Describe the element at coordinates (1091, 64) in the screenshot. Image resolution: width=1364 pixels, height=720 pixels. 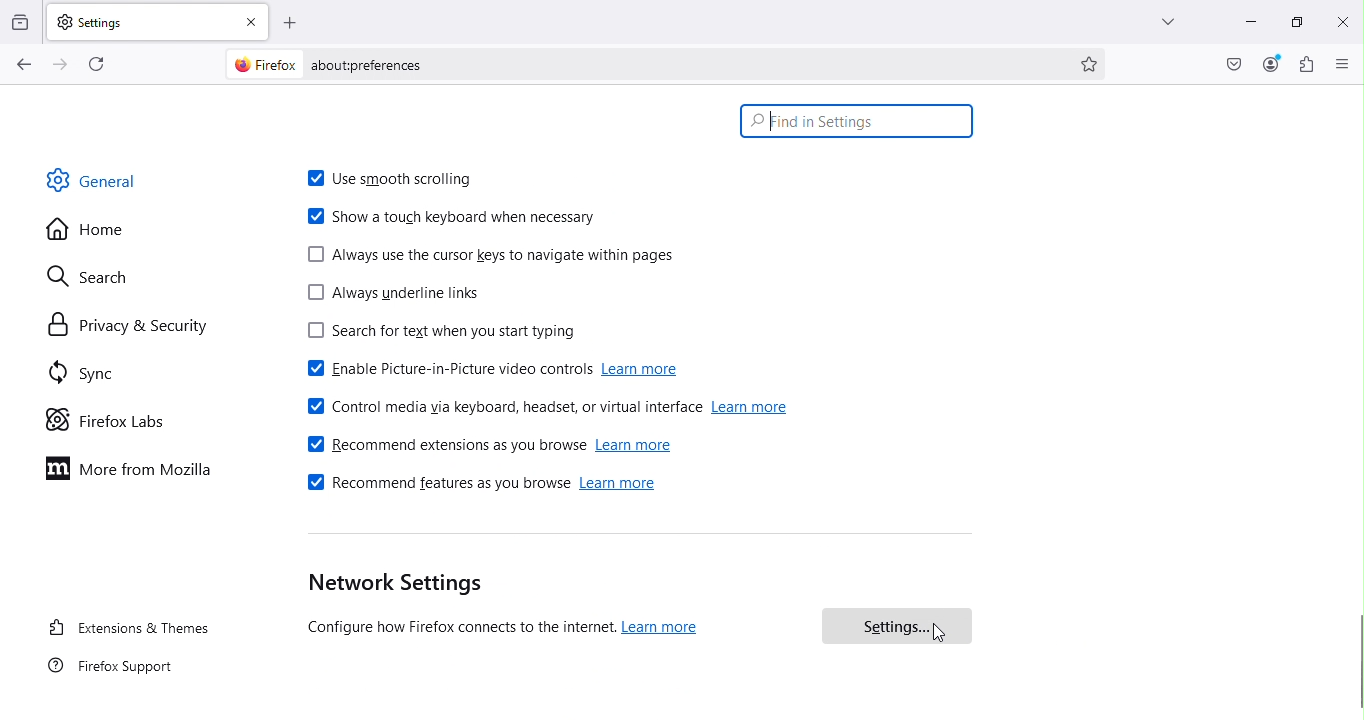
I see `Bookmark` at that location.